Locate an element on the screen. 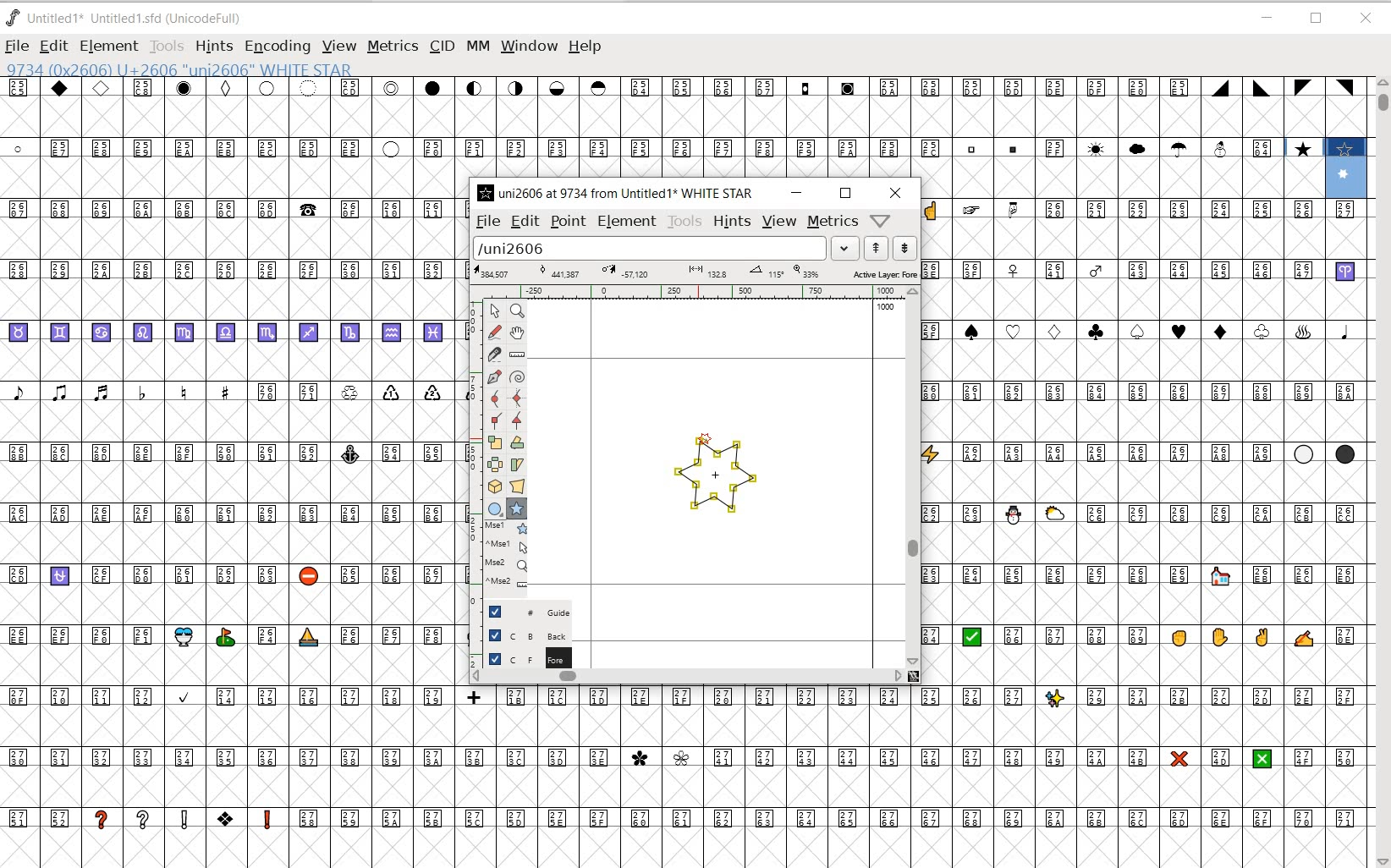 The height and width of the screenshot is (868, 1391). BACKGROUND is located at coordinates (521, 635).